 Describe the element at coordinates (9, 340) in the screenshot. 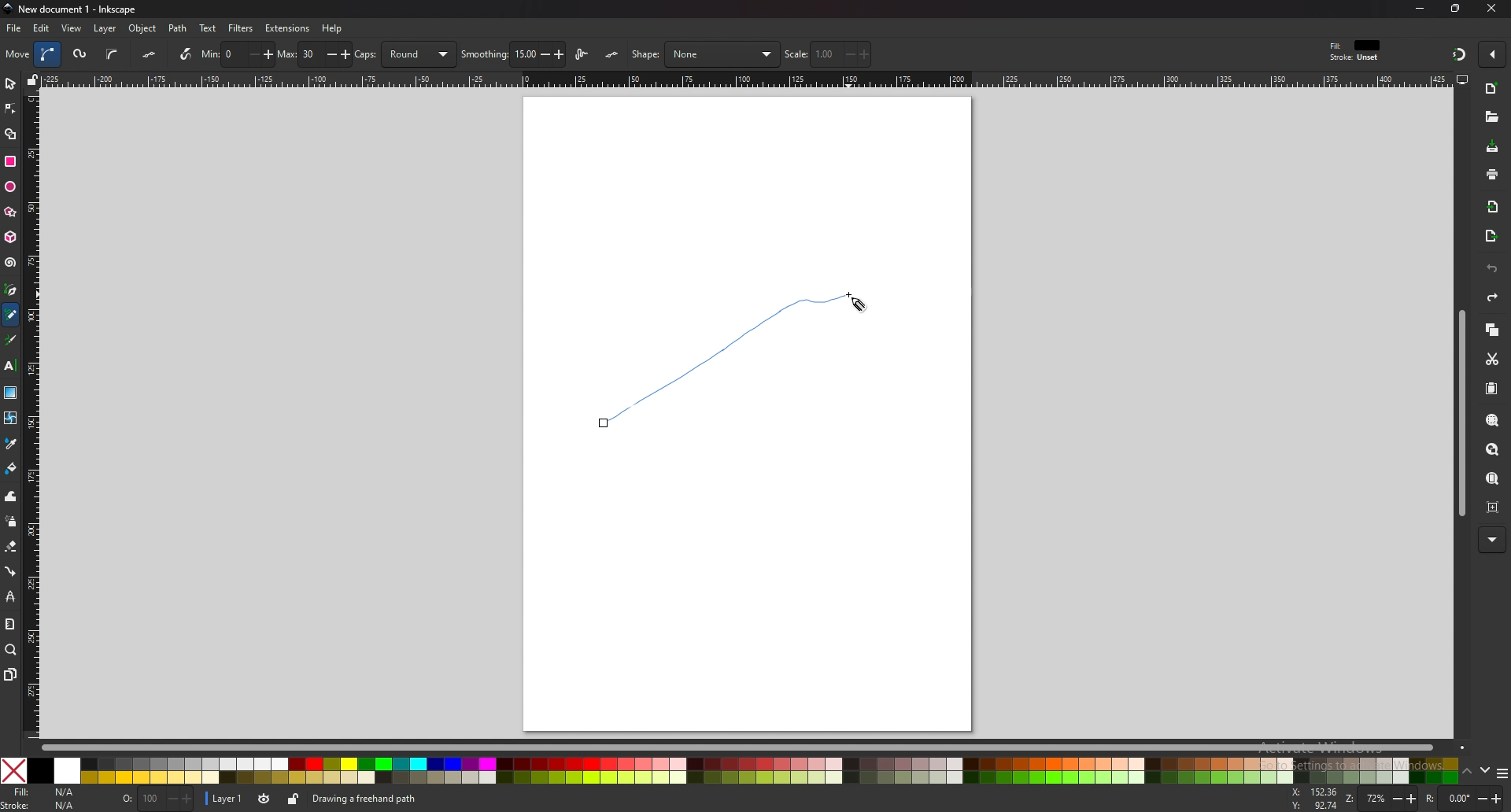

I see `calligraphy` at that location.